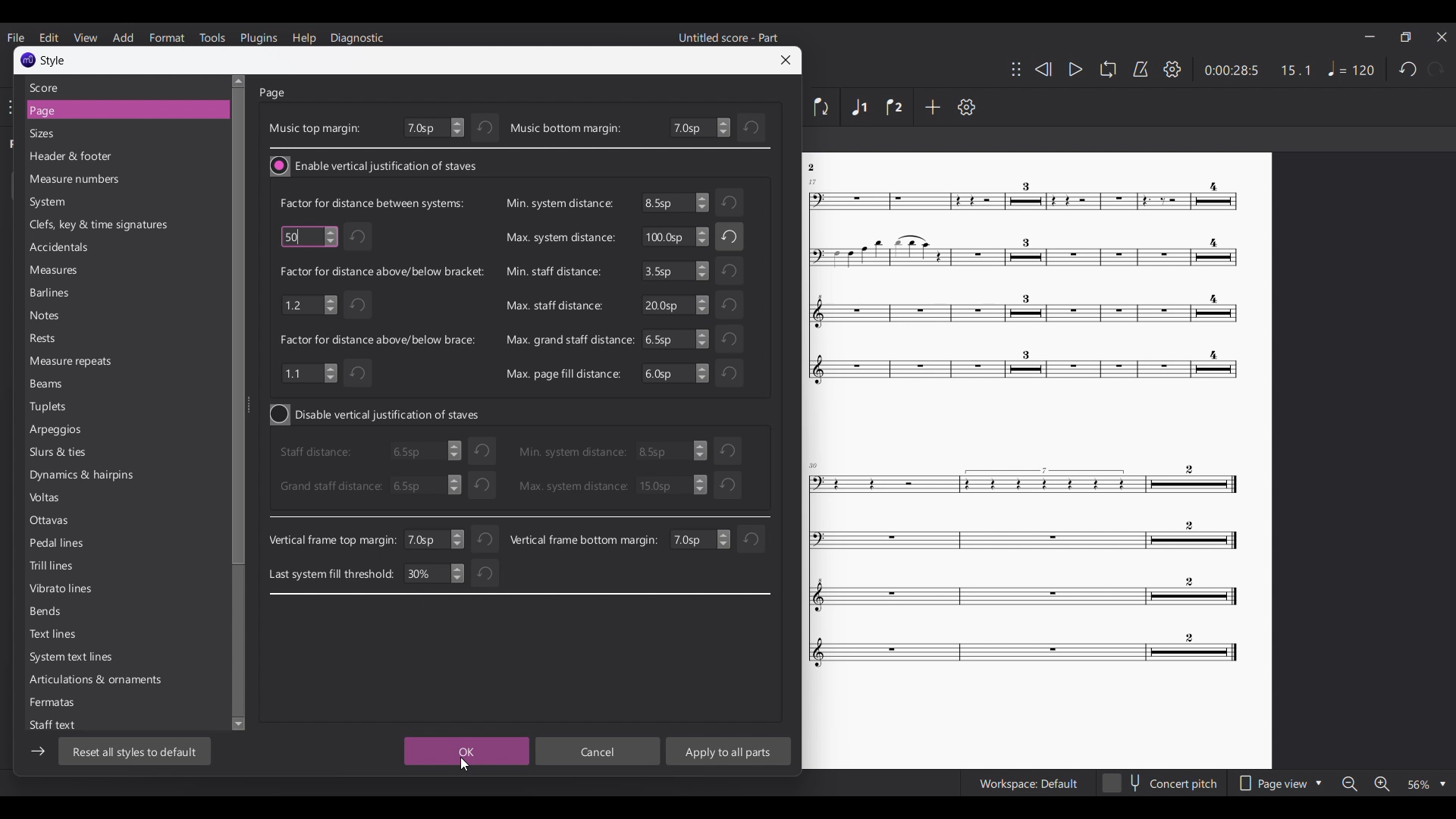 The width and height of the screenshot is (1456, 819). I want to click on Undo, so click(732, 304).